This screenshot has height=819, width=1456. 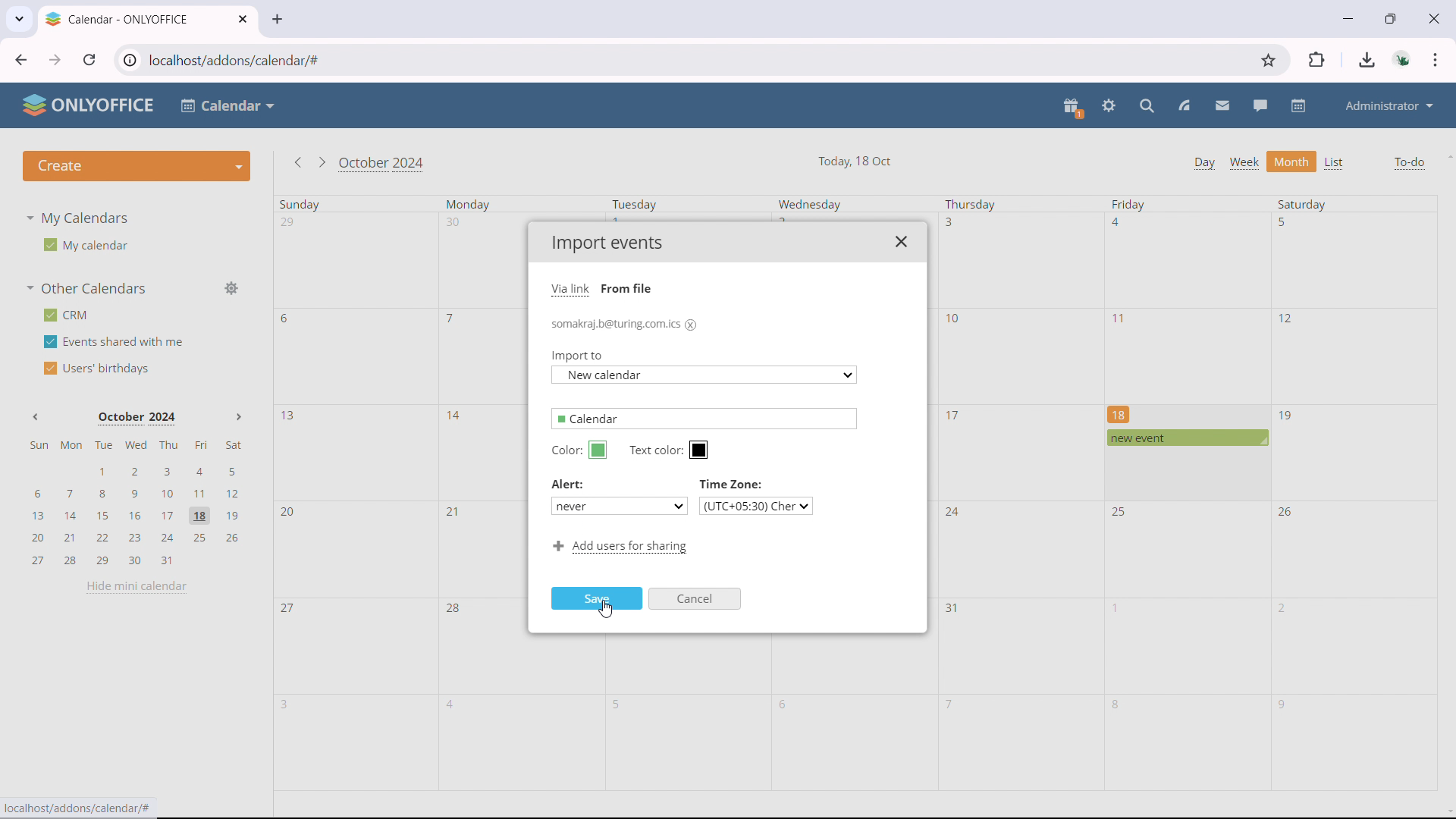 I want to click on week, so click(x=1244, y=164).